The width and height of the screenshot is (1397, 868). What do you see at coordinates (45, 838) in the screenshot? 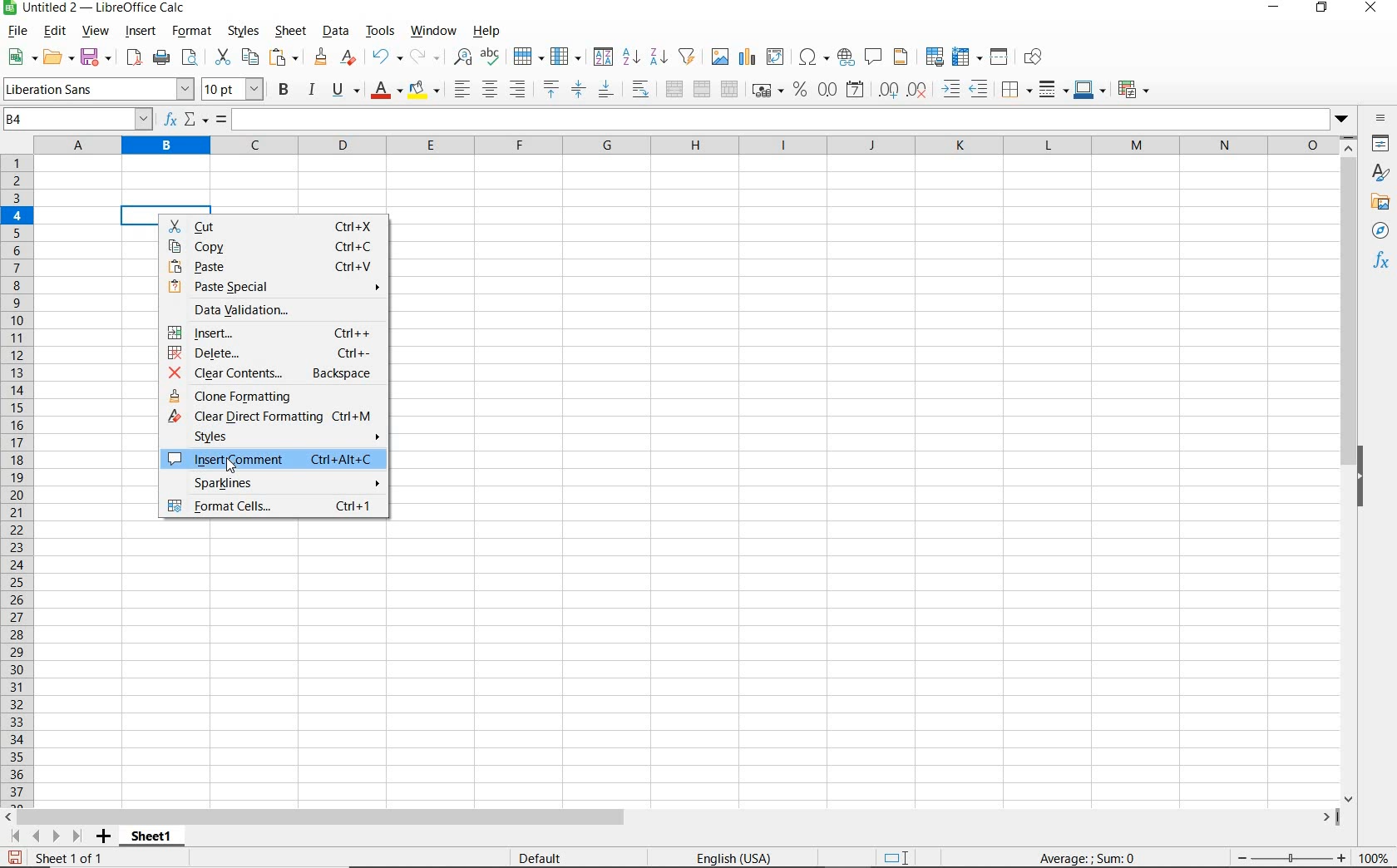
I see `scroll to next sheet` at bounding box center [45, 838].